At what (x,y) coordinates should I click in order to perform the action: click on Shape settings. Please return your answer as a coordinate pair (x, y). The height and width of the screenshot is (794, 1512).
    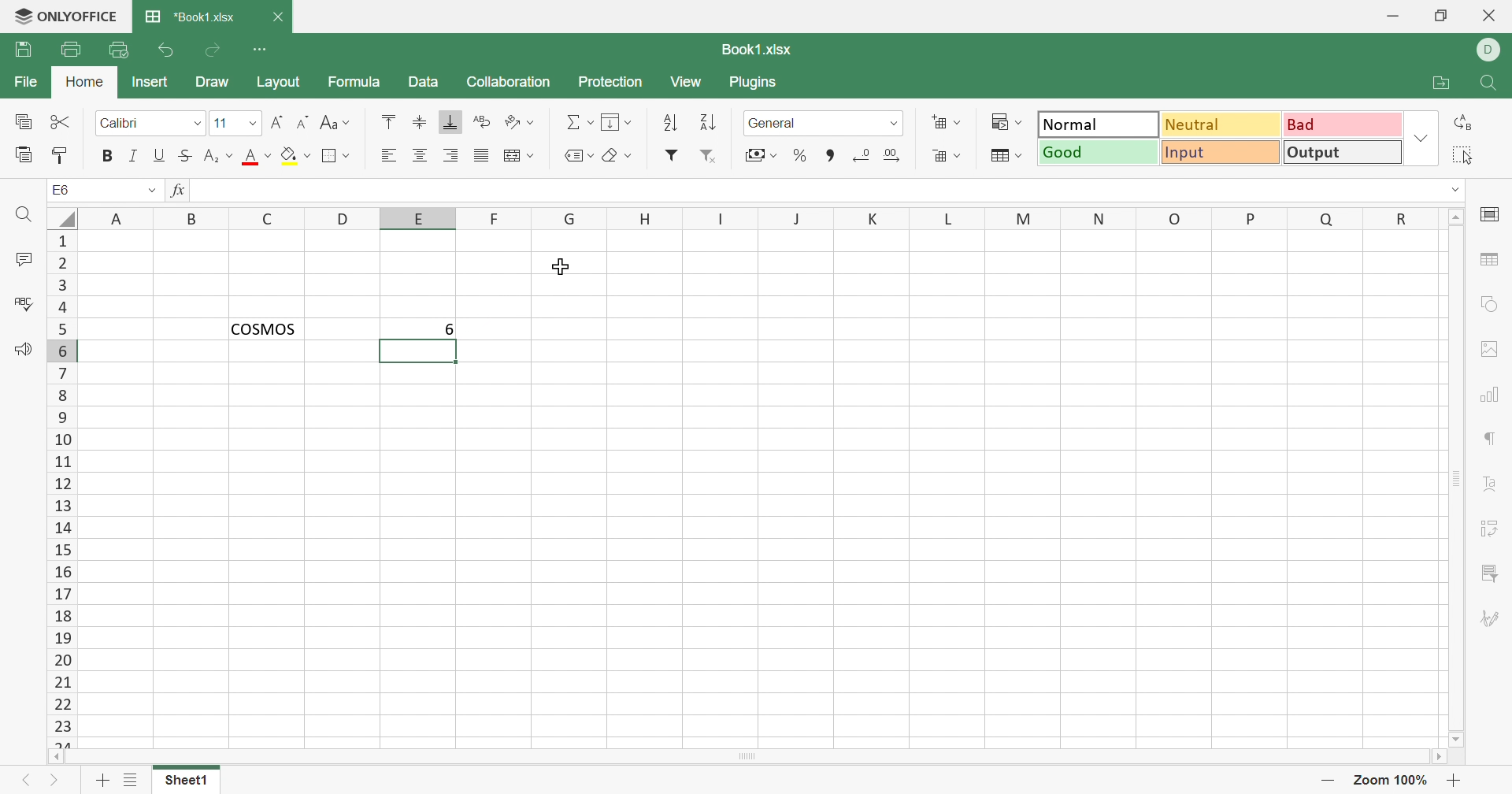
    Looking at the image, I should click on (1493, 306).